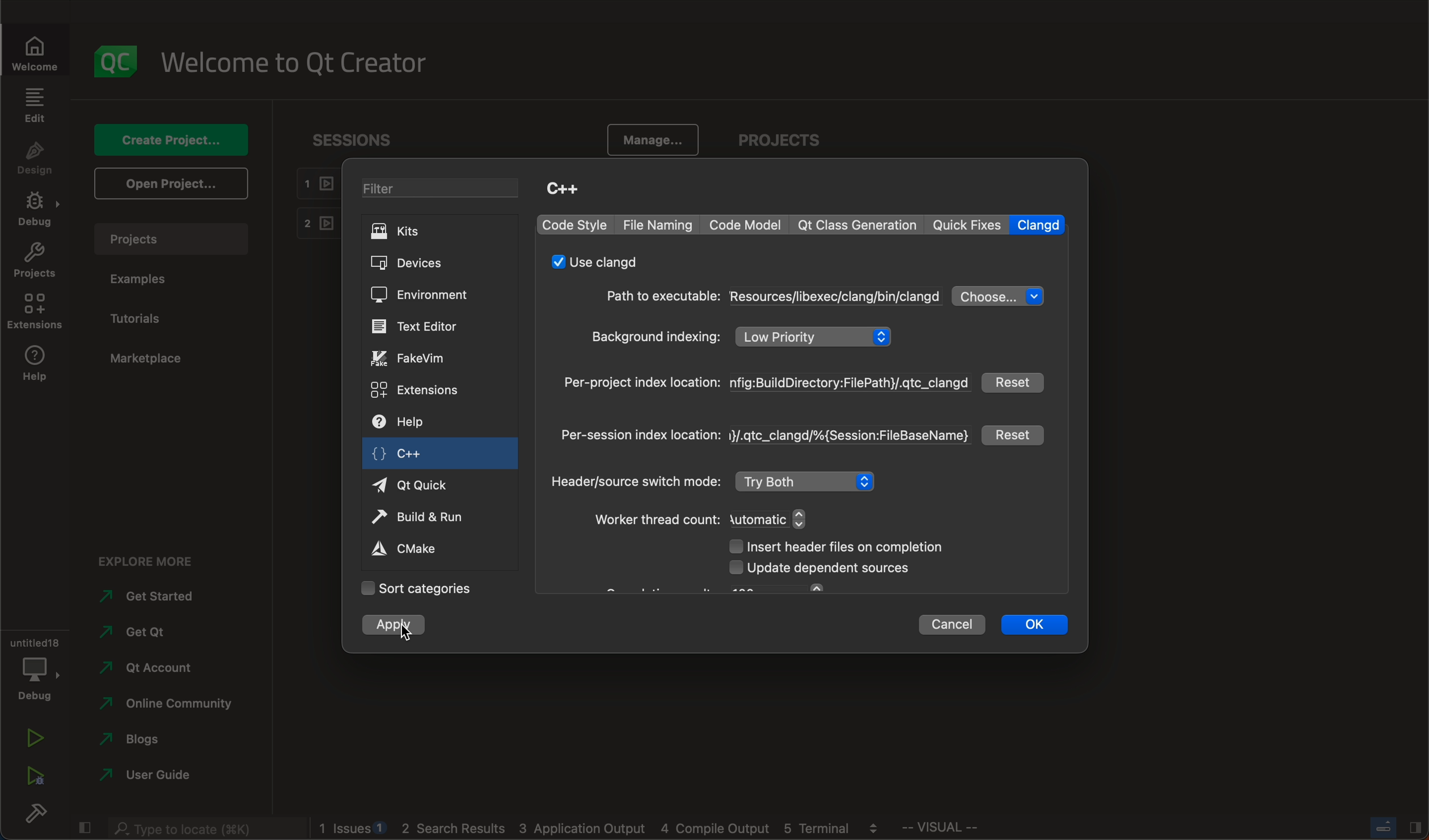 Image resolution: width=1429 pixels, height=840 pixels. I want to click on mode, so click(718, 483).